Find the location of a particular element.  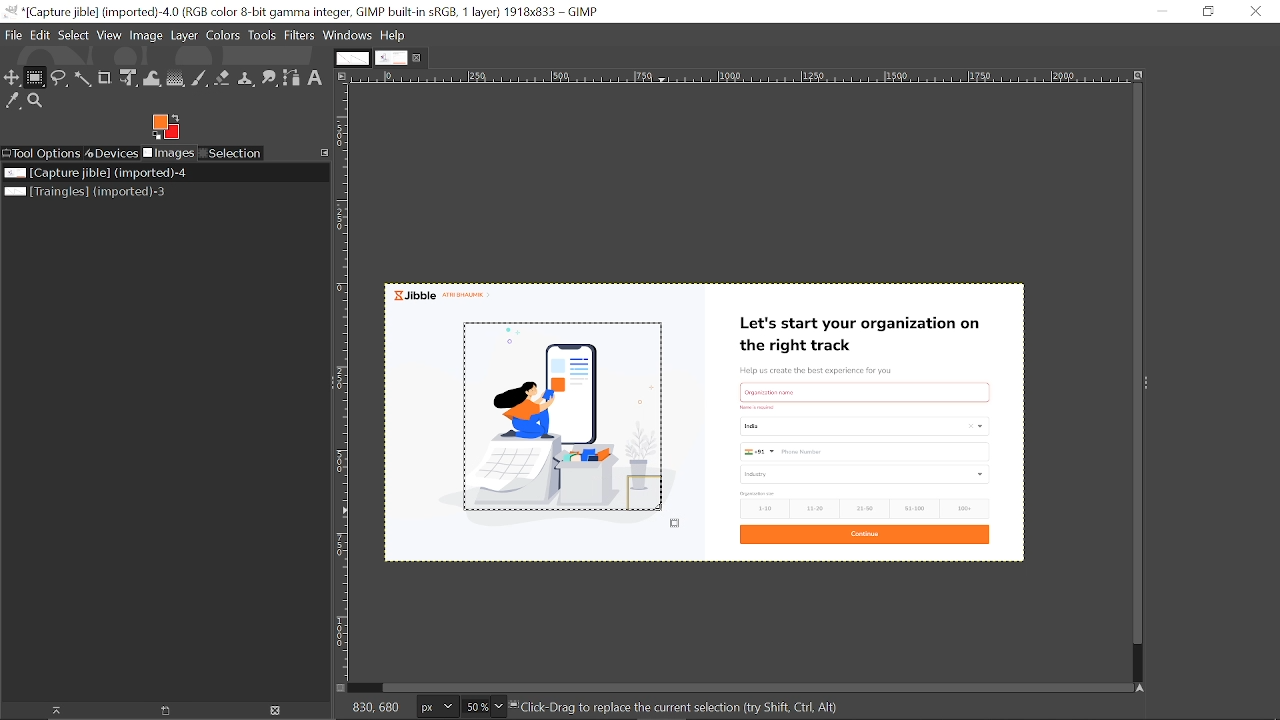

Zoom image when window size changes is located at coordinates (1136, 75).